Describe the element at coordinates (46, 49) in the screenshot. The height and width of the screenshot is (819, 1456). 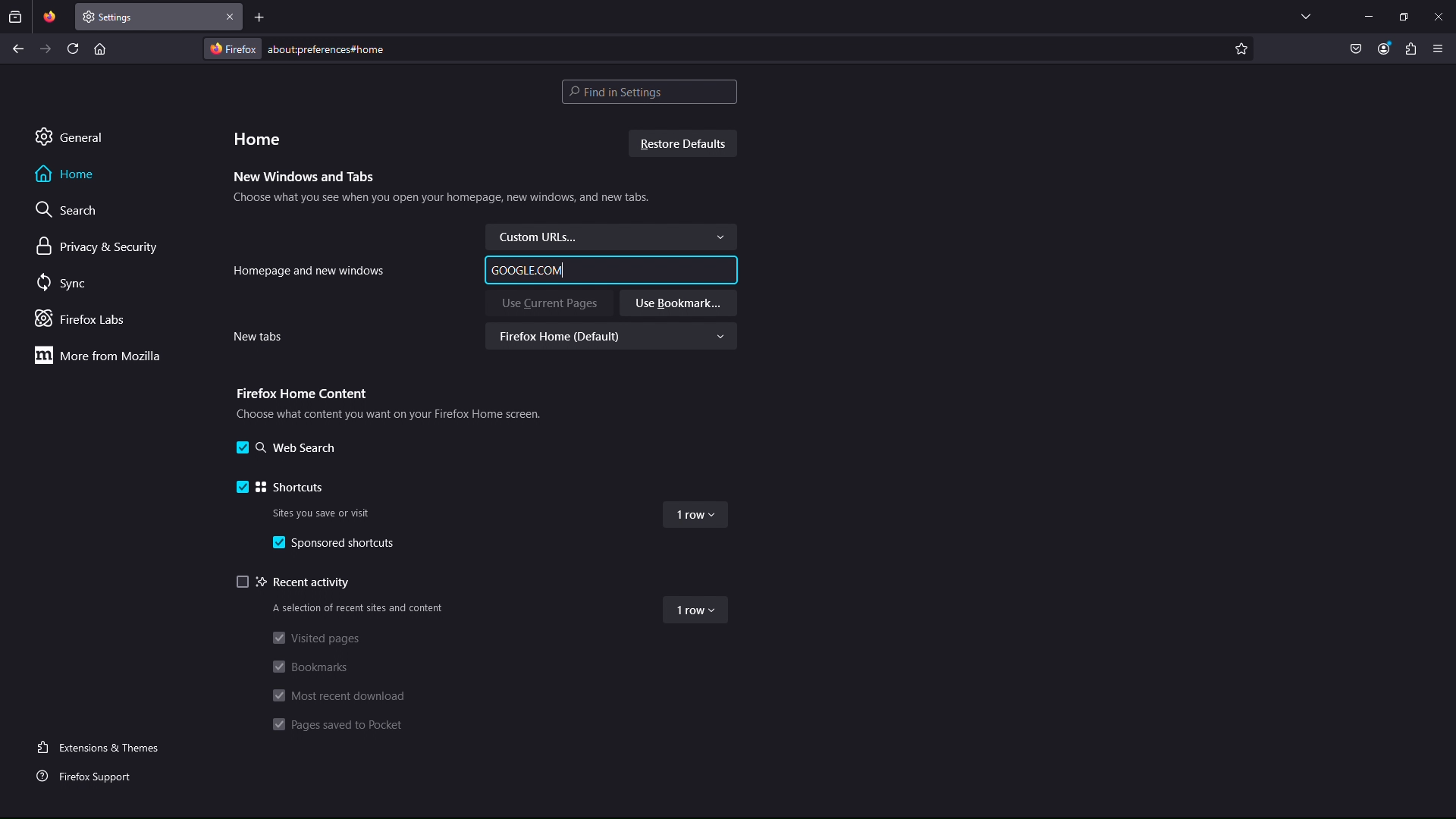
I see `Next` at that location.